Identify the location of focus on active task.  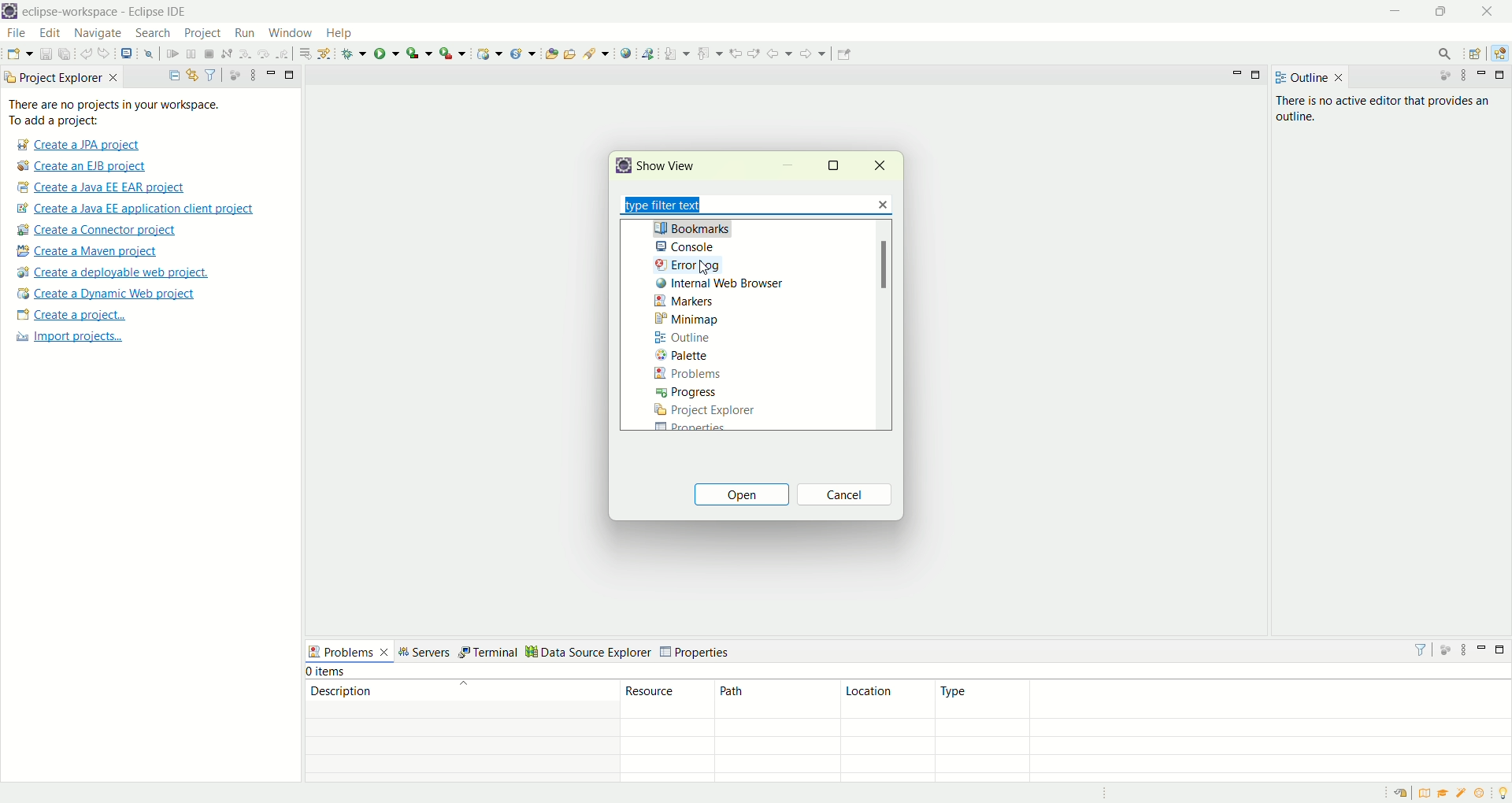
(1446, 649).